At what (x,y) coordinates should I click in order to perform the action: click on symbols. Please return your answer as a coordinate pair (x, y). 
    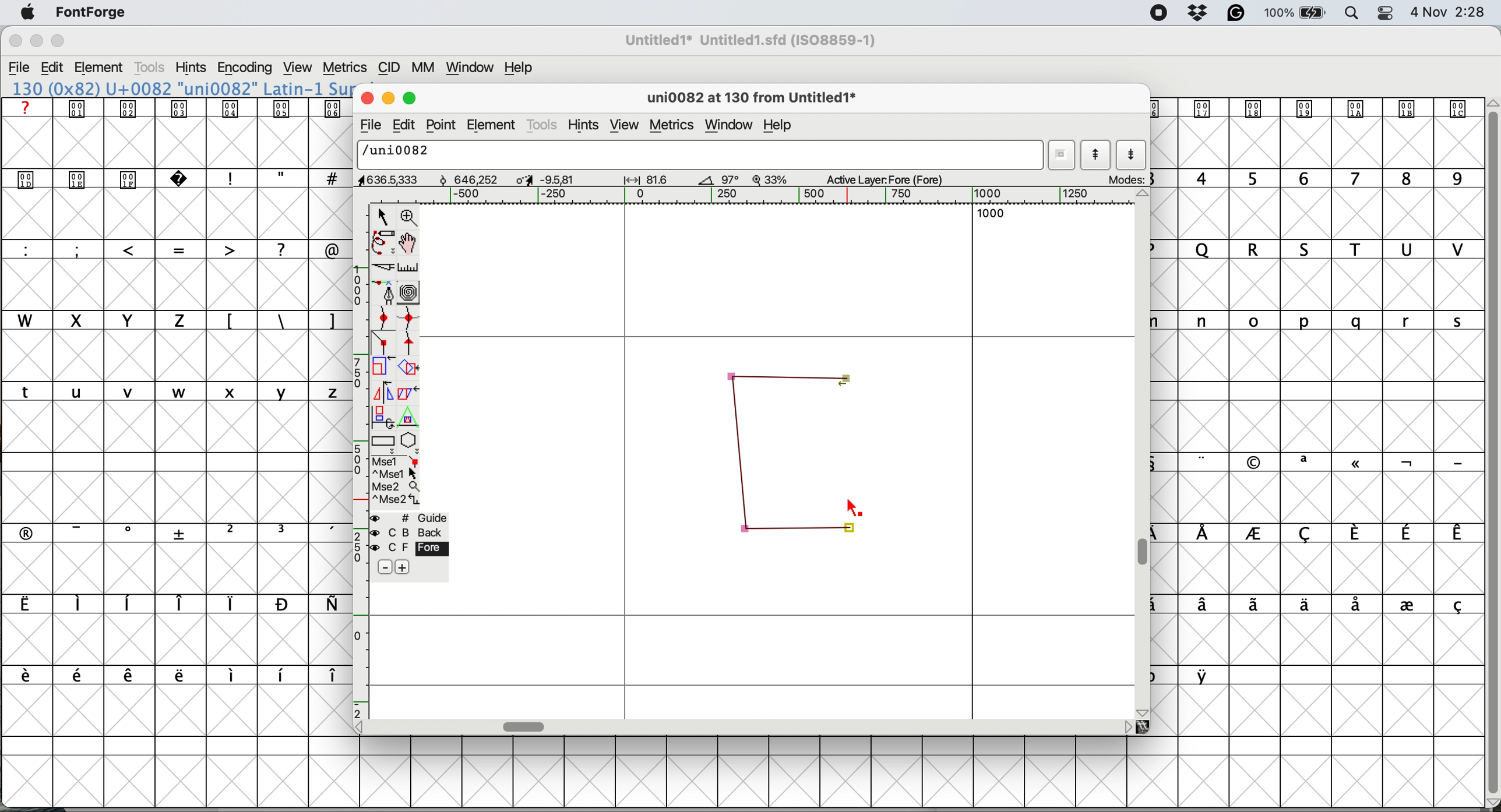
    Looking at the image, I should click on (185, 532).